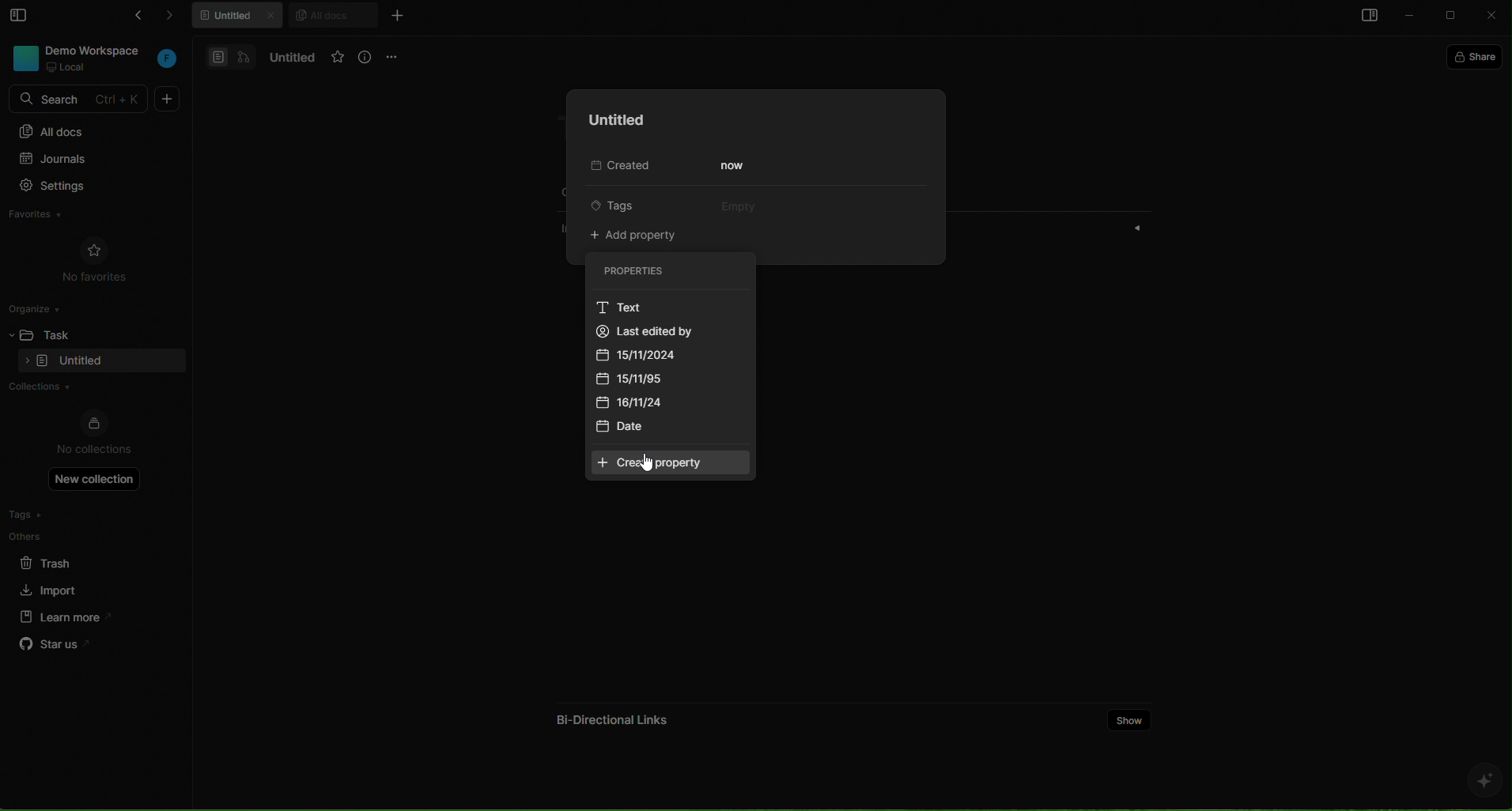  Describe the element at coordinates (366, 58) in the screenshot. I see `info` at that location.